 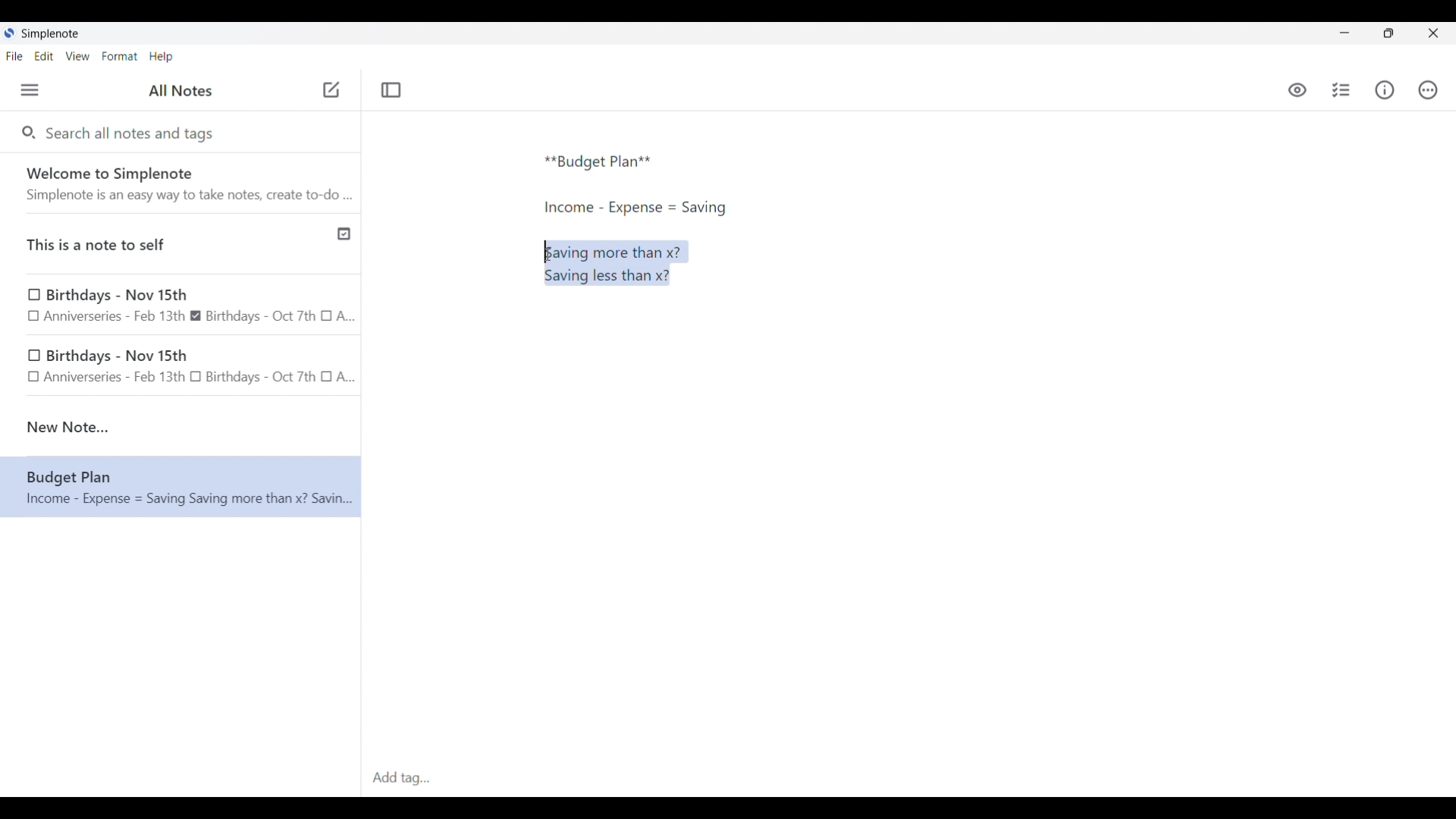 I want to click on Software name, so click(x=52, y=34).